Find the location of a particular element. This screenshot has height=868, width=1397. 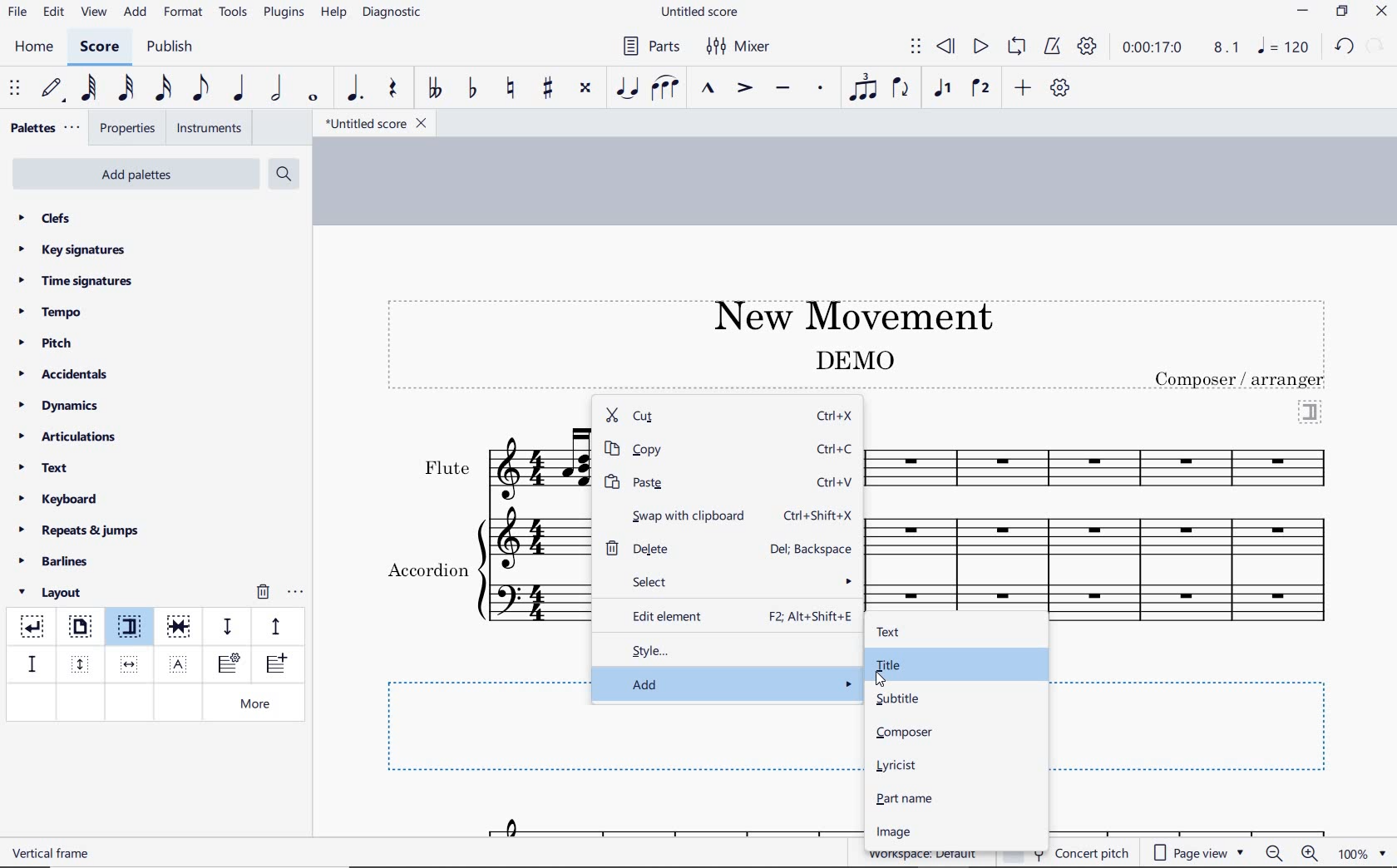

toggle sharp is located at coordinates (550, 89).